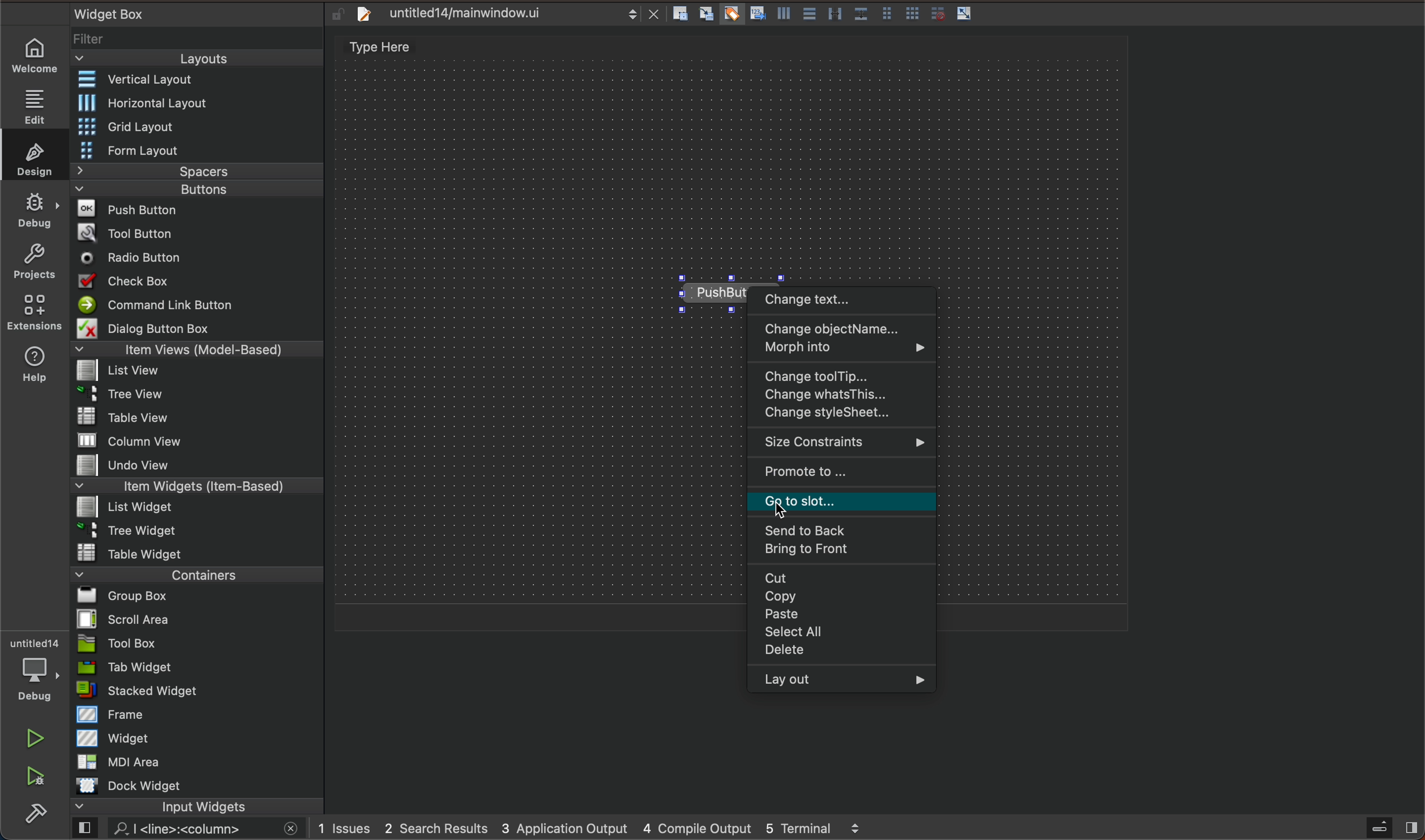  I want to click on WELCOME, so click(36, 58).